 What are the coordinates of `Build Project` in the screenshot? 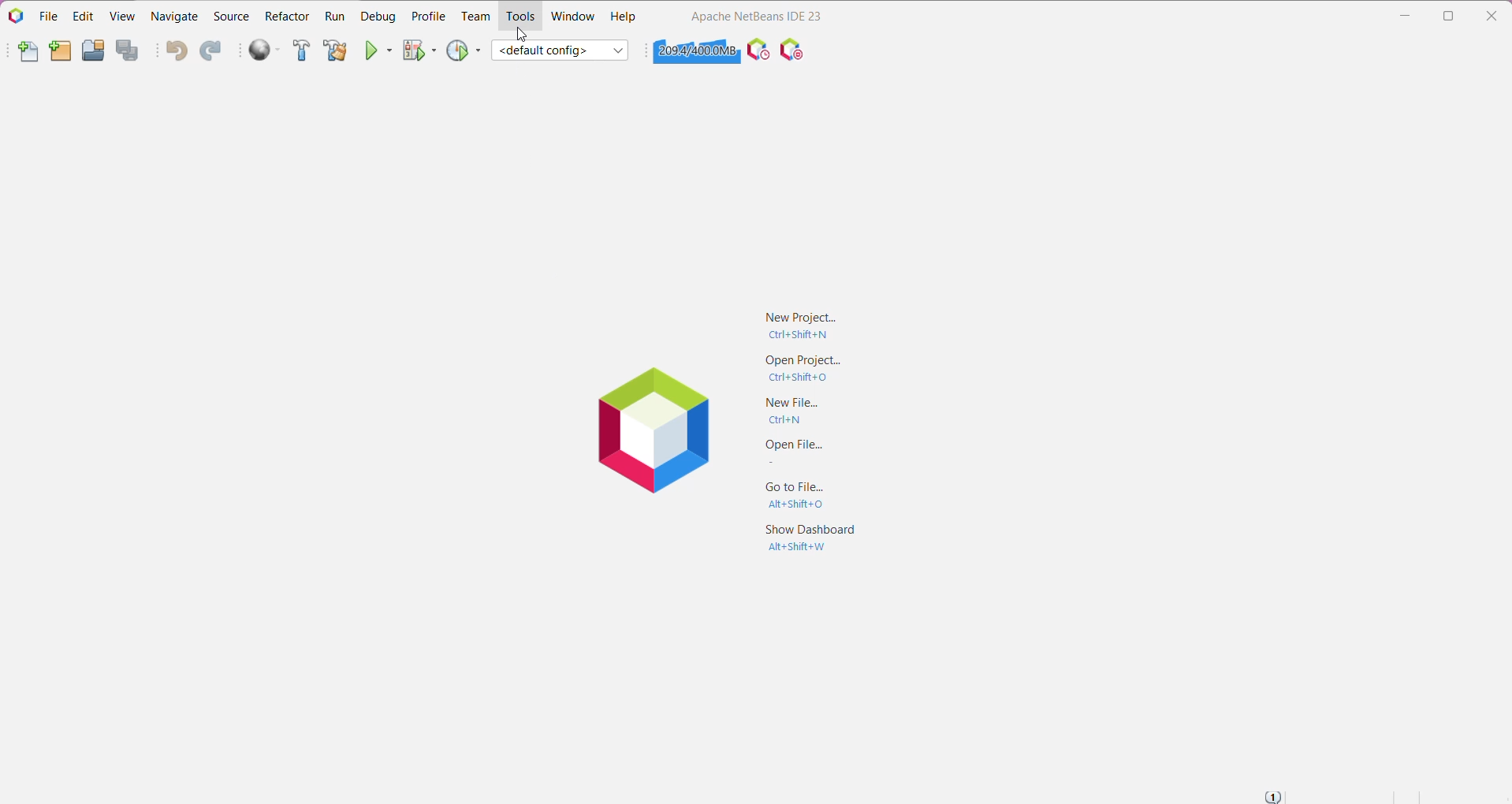 It's located at (300, 51).